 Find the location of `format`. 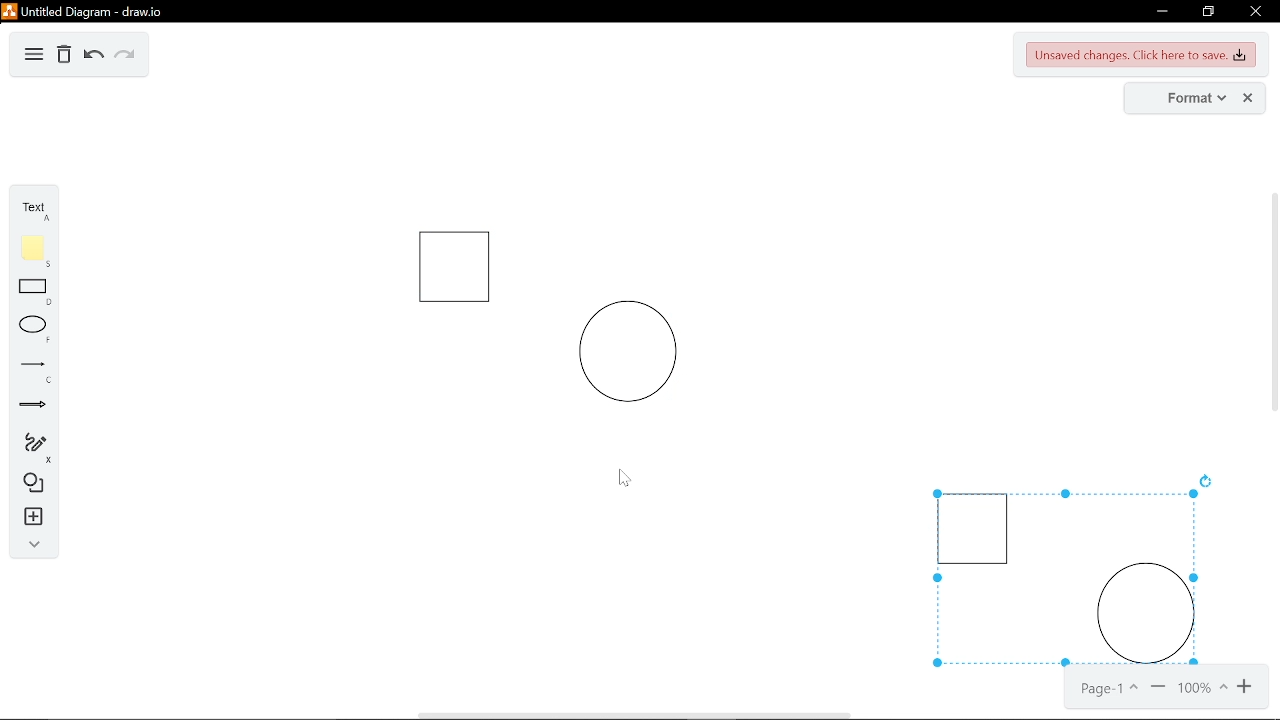

format is located at coordinates (1183, 98).